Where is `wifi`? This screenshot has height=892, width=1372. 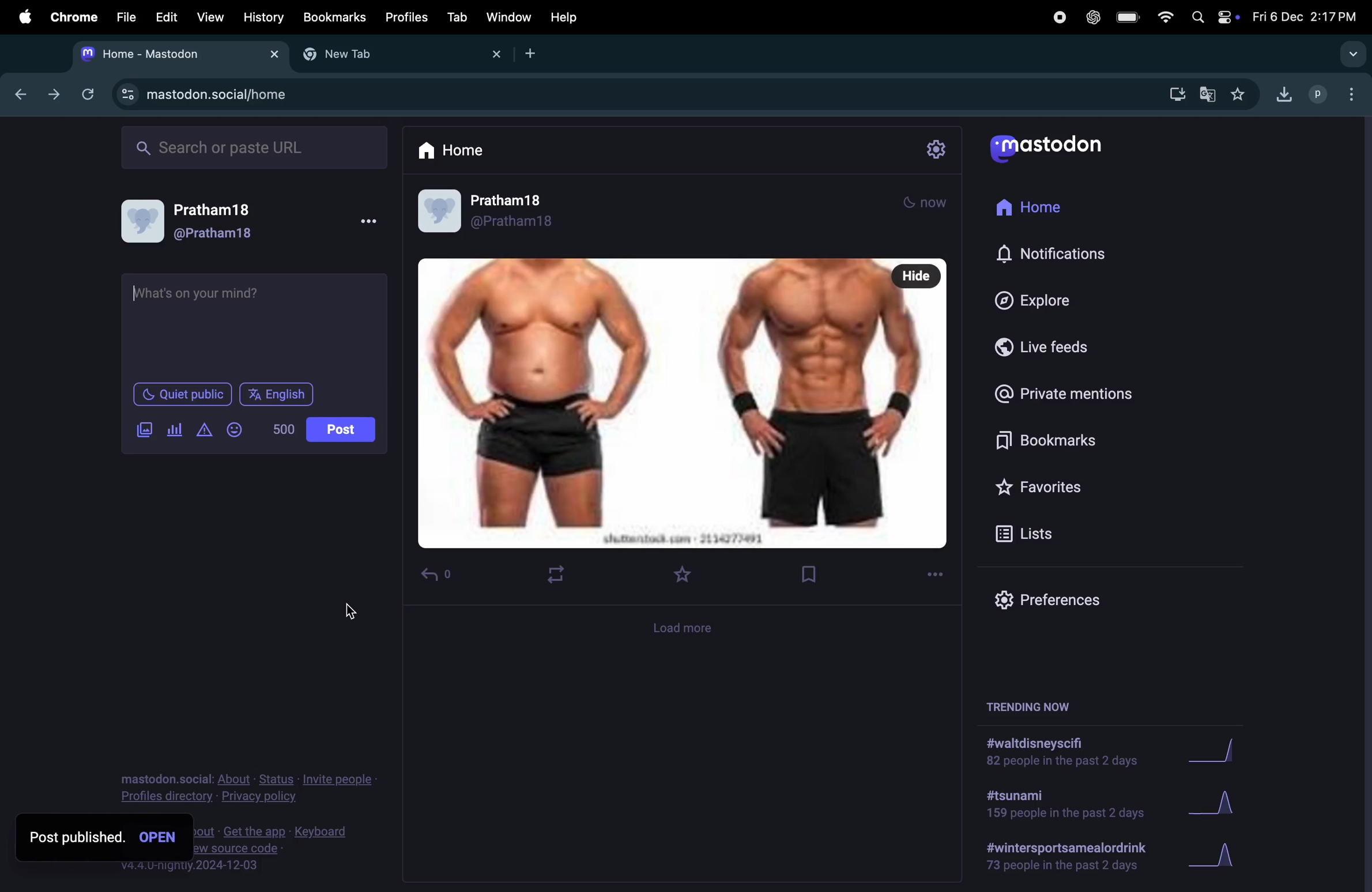
wifi is located at coordinates (1164, 16).